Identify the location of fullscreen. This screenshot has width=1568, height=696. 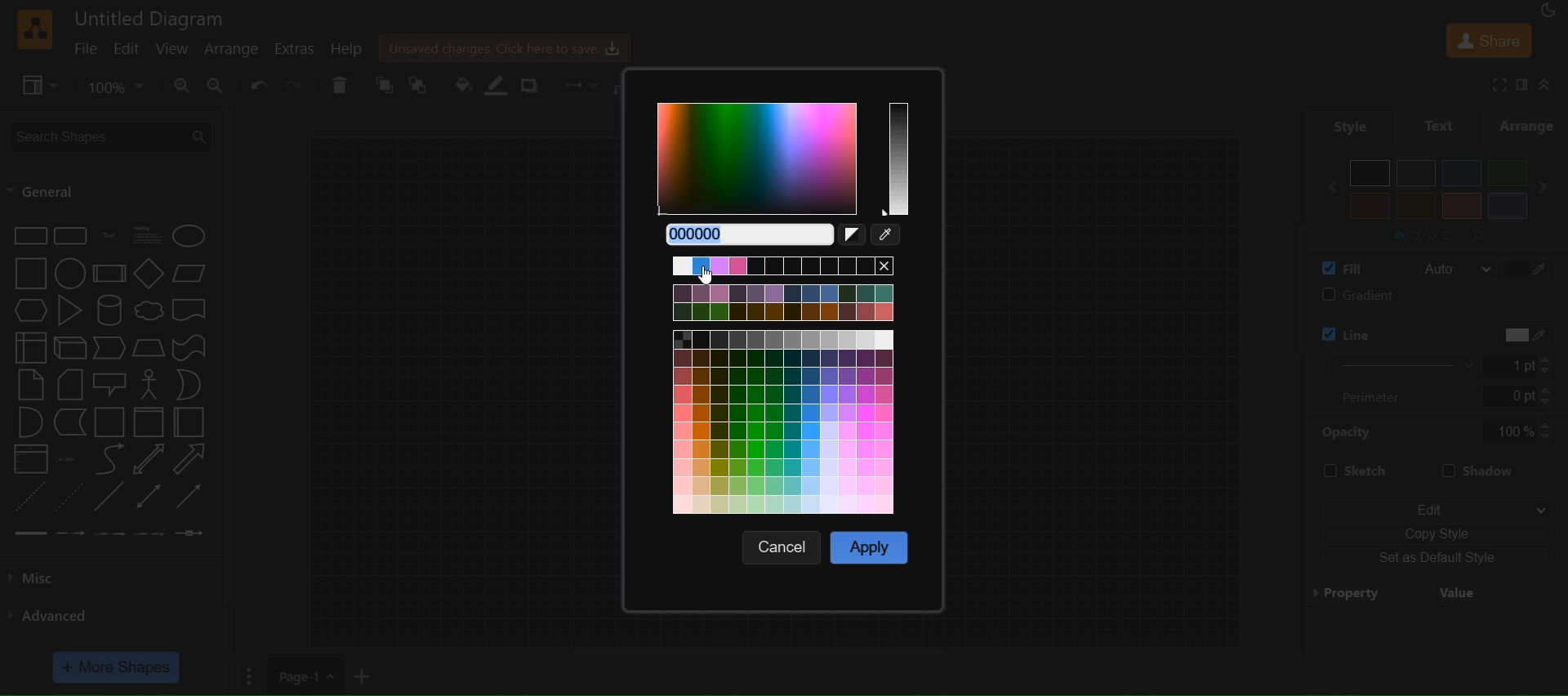
(1494, 84).